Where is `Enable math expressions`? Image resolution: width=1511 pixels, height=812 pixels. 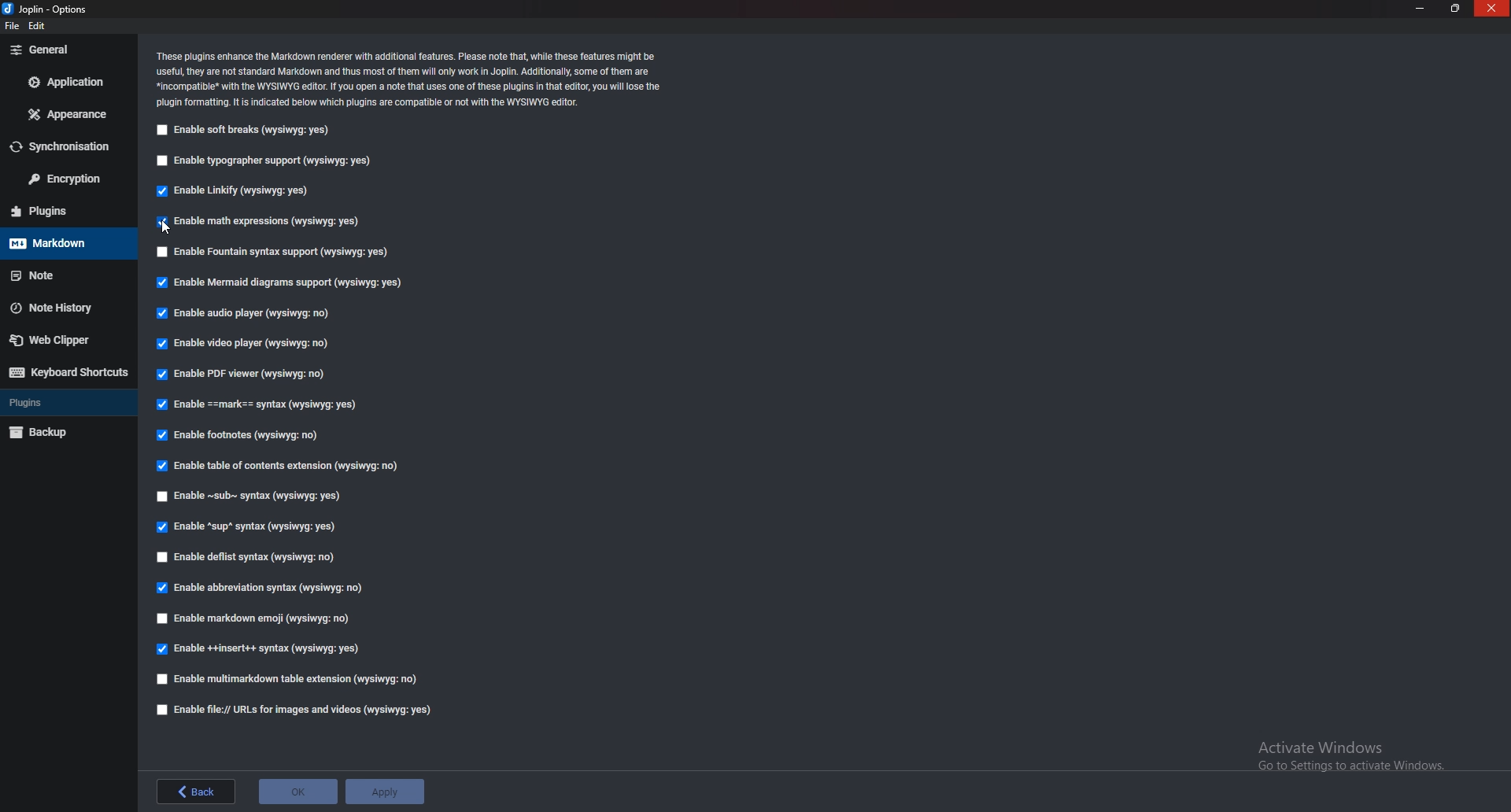
Enable math expressions is located at coordinates (282, 220).